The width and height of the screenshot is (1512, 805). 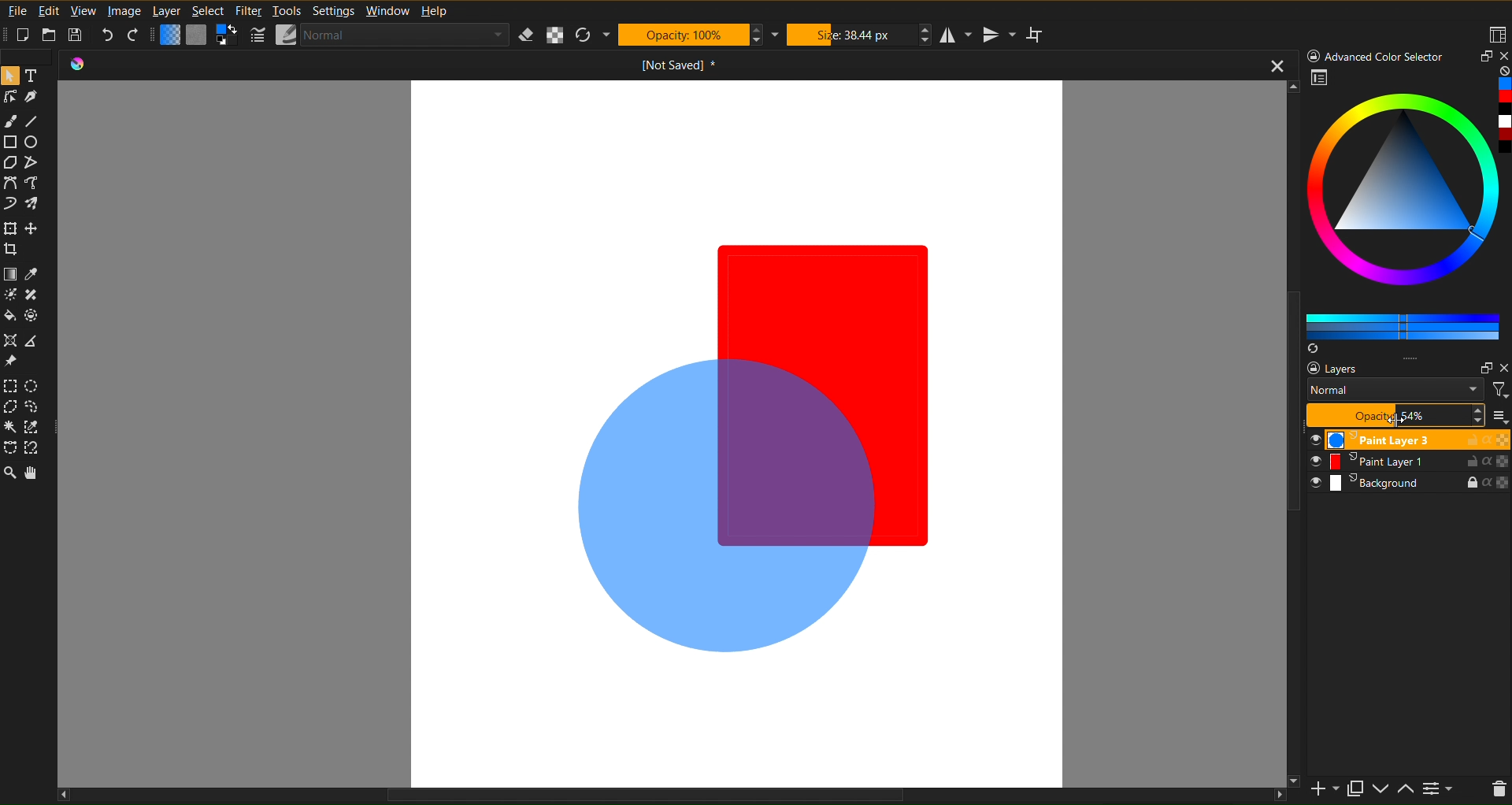 What do you see at coordinates (1409, 440) in the screenshot?
I see `Paint Layer 3` at bounding box center [1409, 440].